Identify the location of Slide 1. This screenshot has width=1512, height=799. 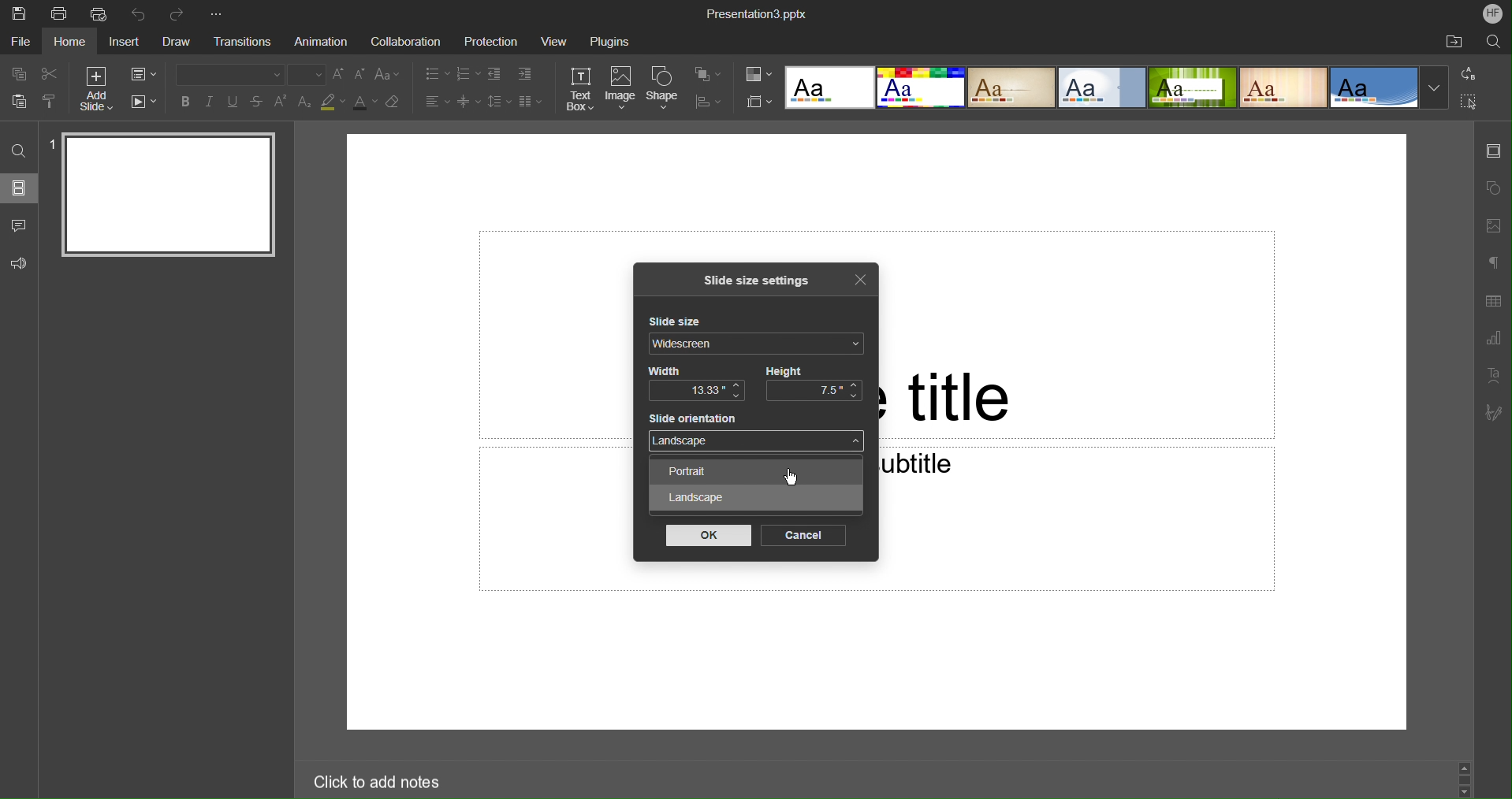
(164, 196).